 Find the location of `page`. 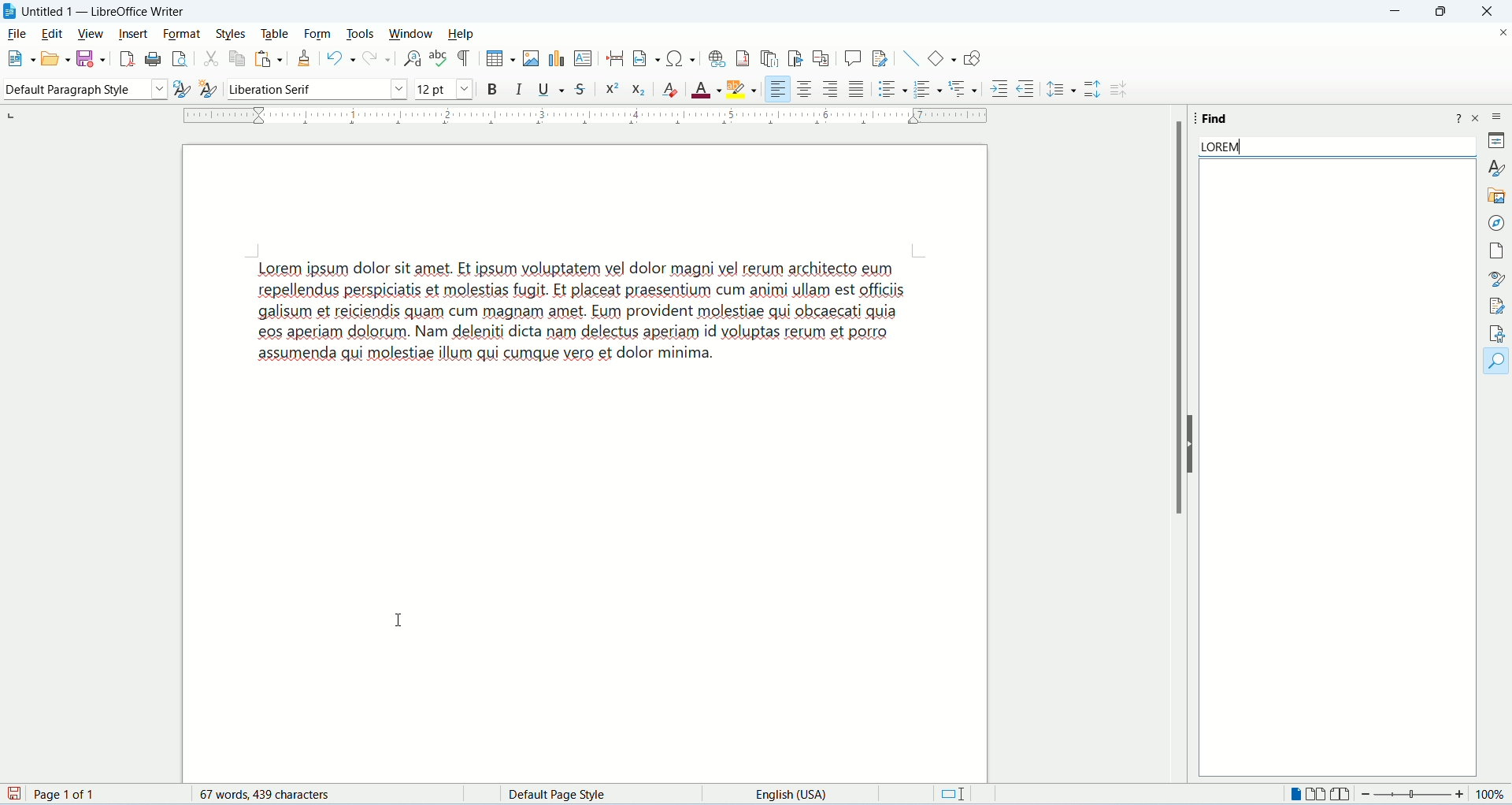

page is located at coordinates (1494, 250).